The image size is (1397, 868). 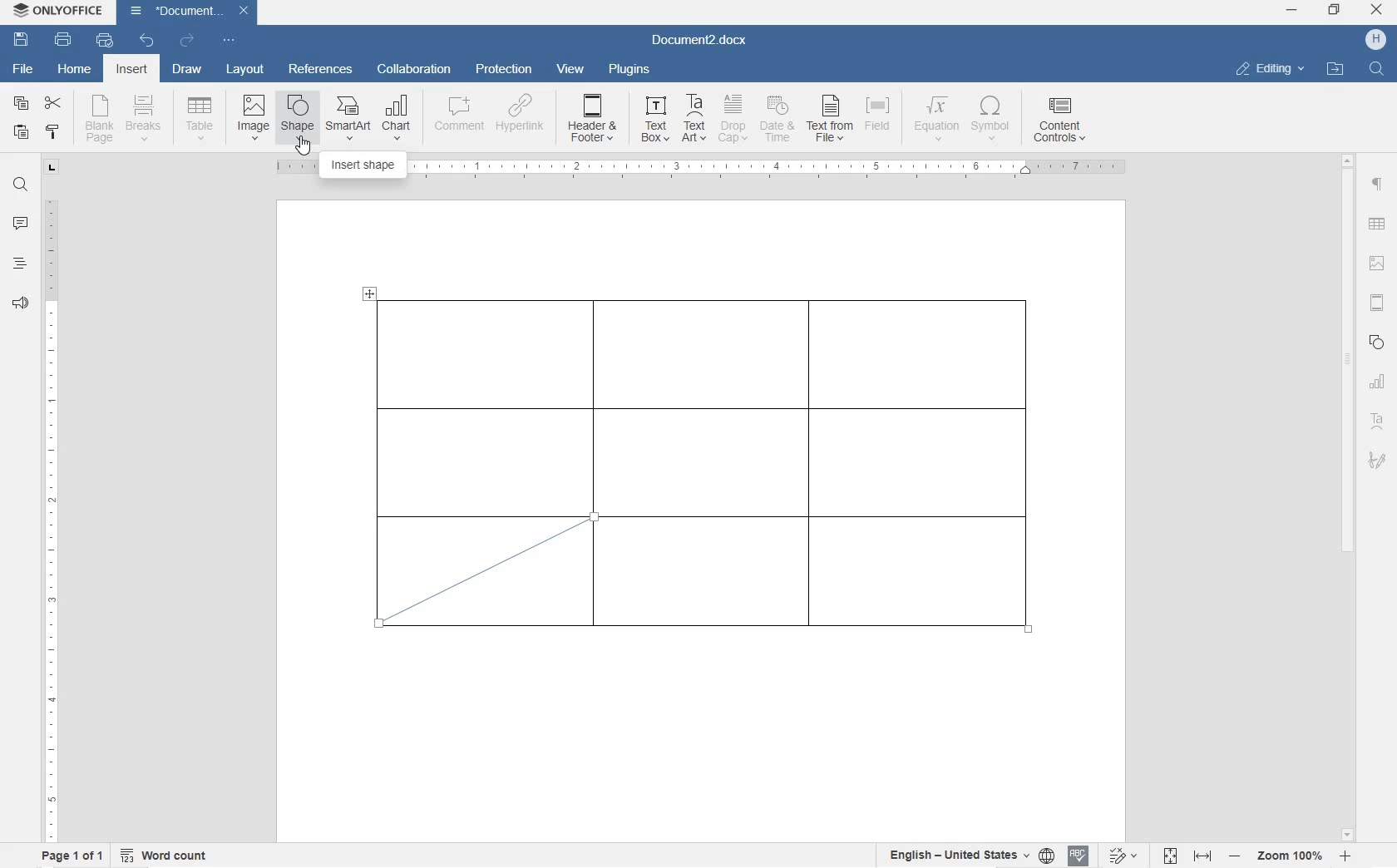 What do you see at coordinates (704, 42) in the screenshot?
I see `Document3.docx` at bounding box center [704, 42].